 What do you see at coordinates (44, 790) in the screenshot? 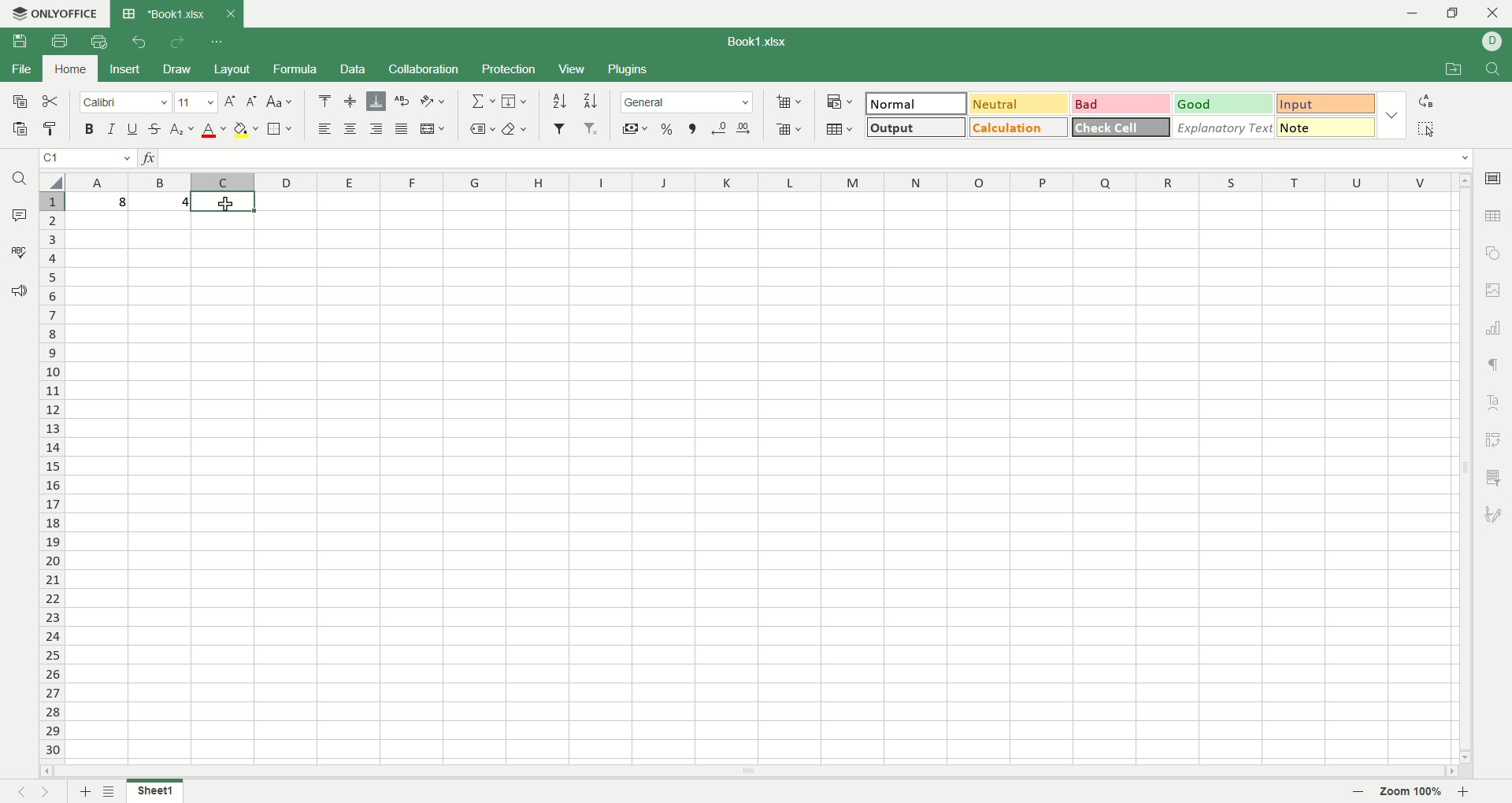
I see `next` at bounding box center [44, 790].